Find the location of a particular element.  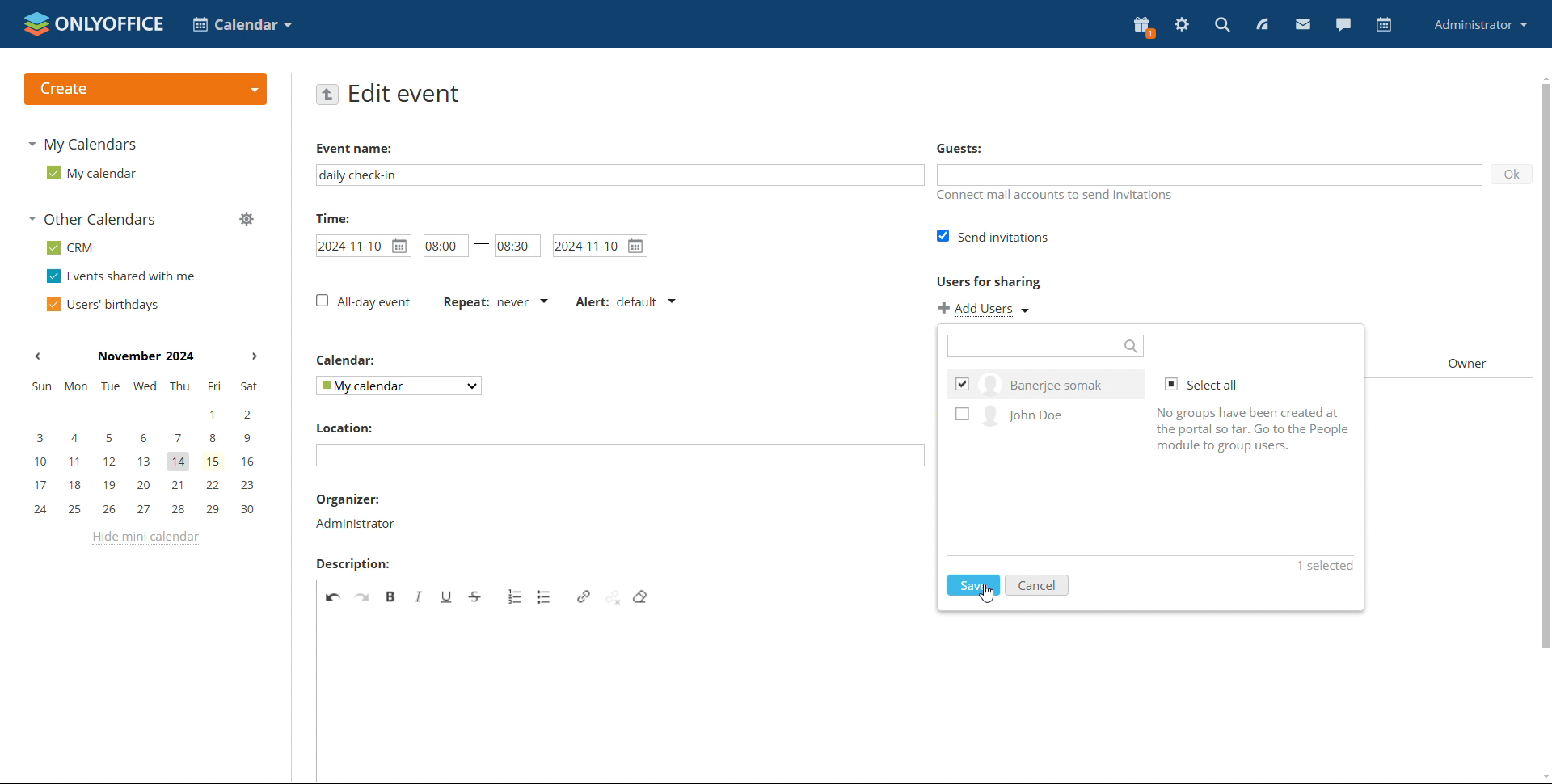

feed is located at coordinates (1261, 24).